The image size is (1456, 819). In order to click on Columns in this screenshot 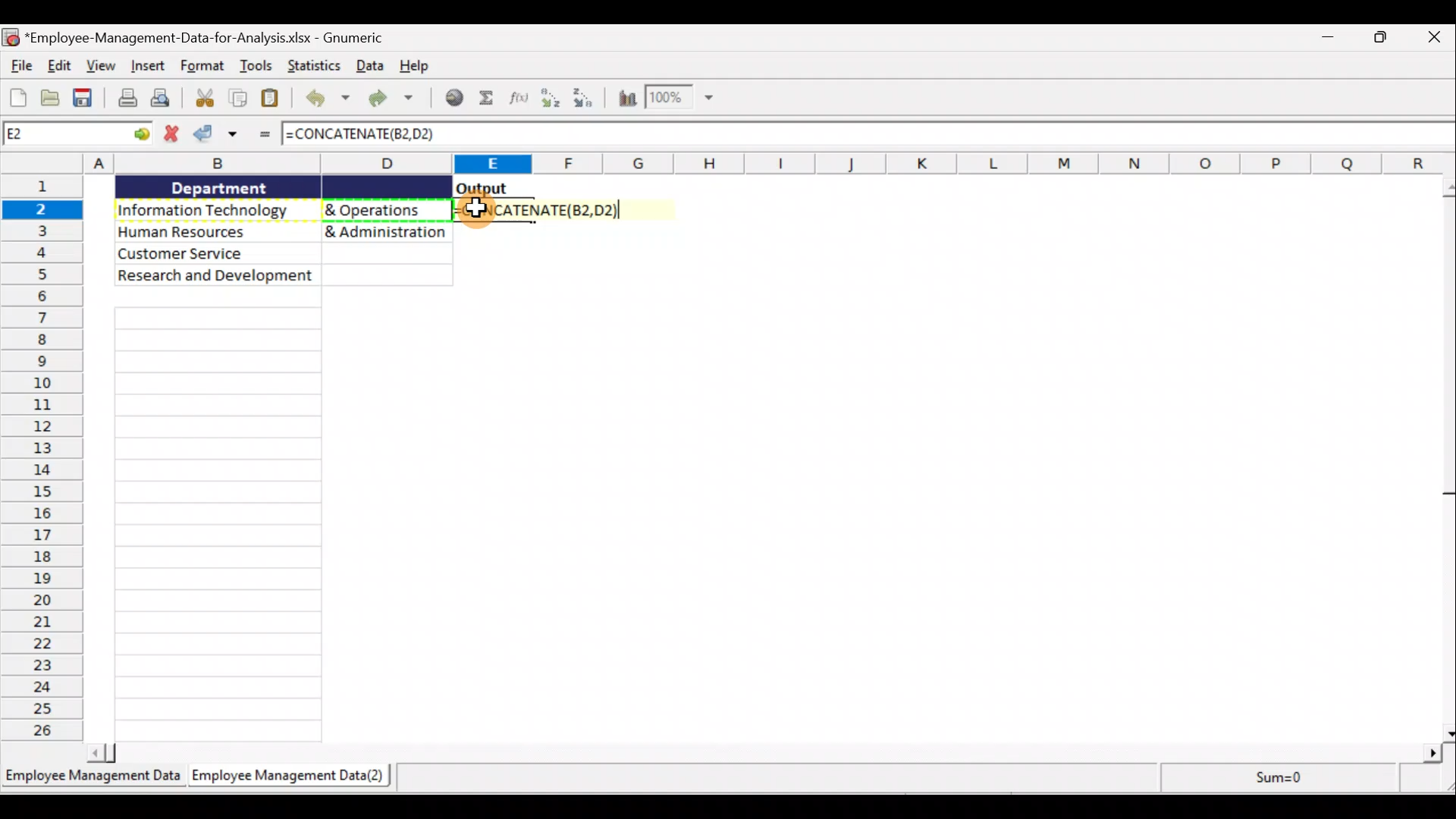, I will do `click(770, 164)`.